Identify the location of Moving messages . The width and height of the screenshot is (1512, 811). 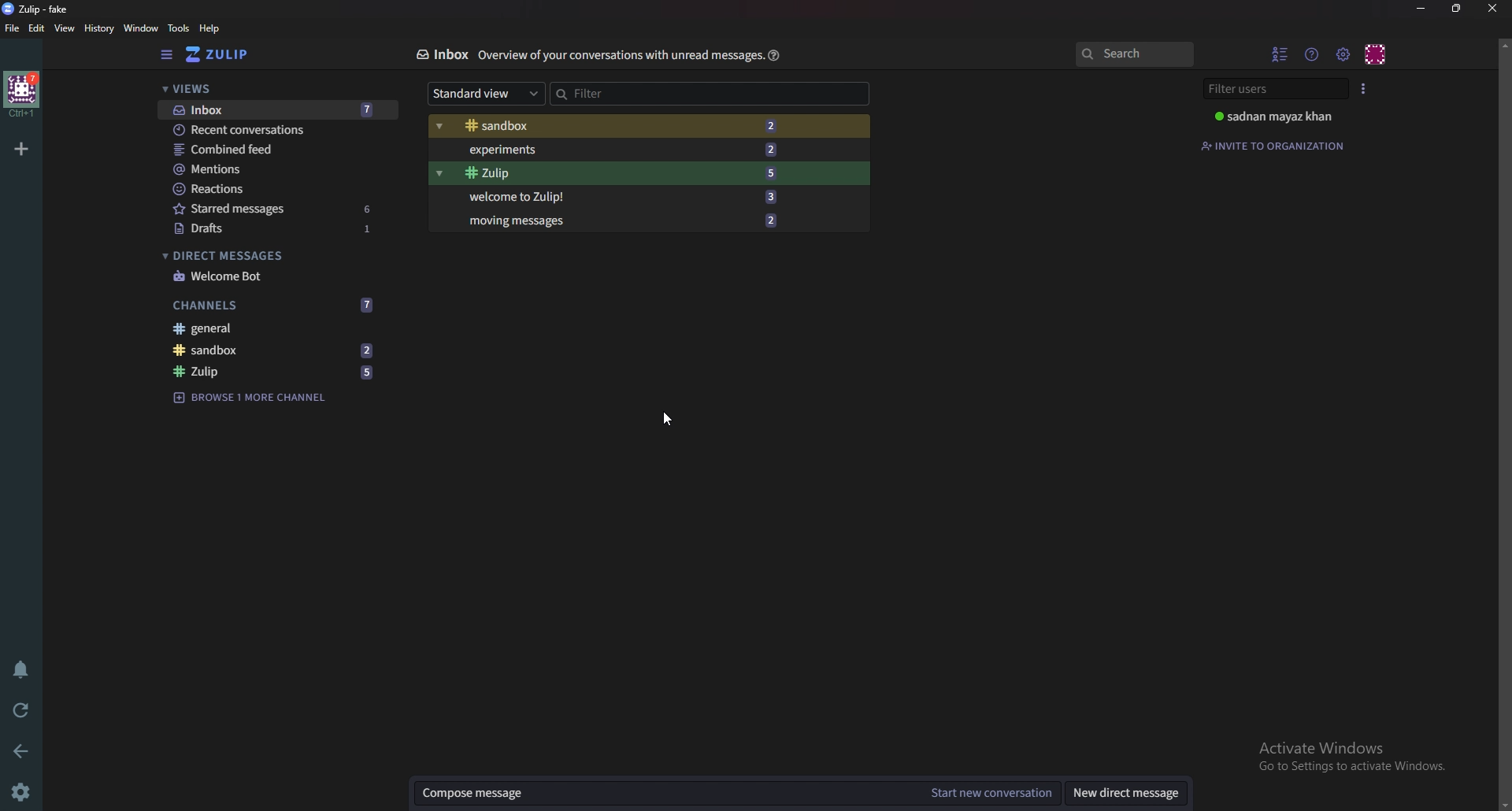
(524, 224).